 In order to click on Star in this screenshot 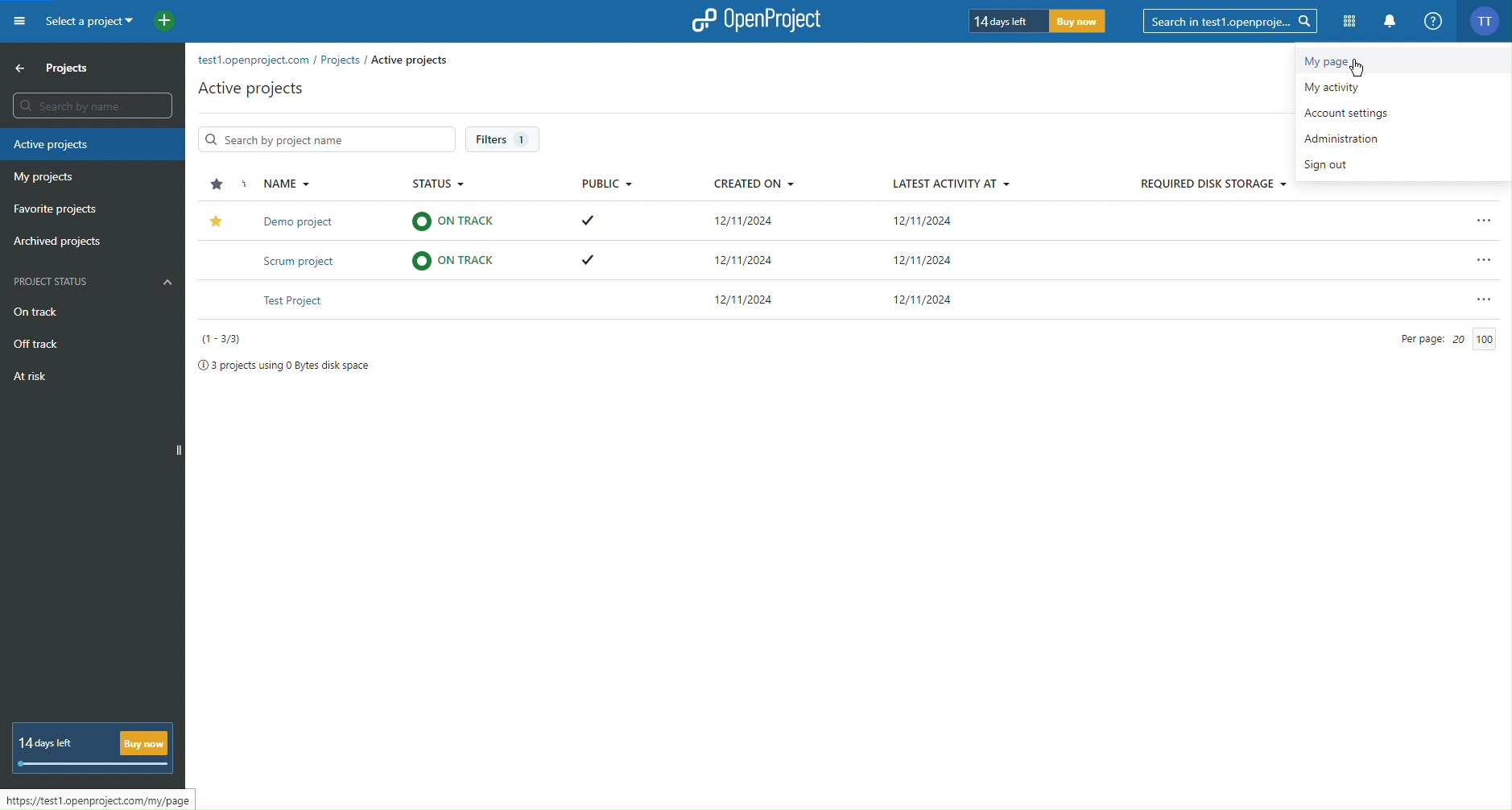, I will do `click(213, 185)`.